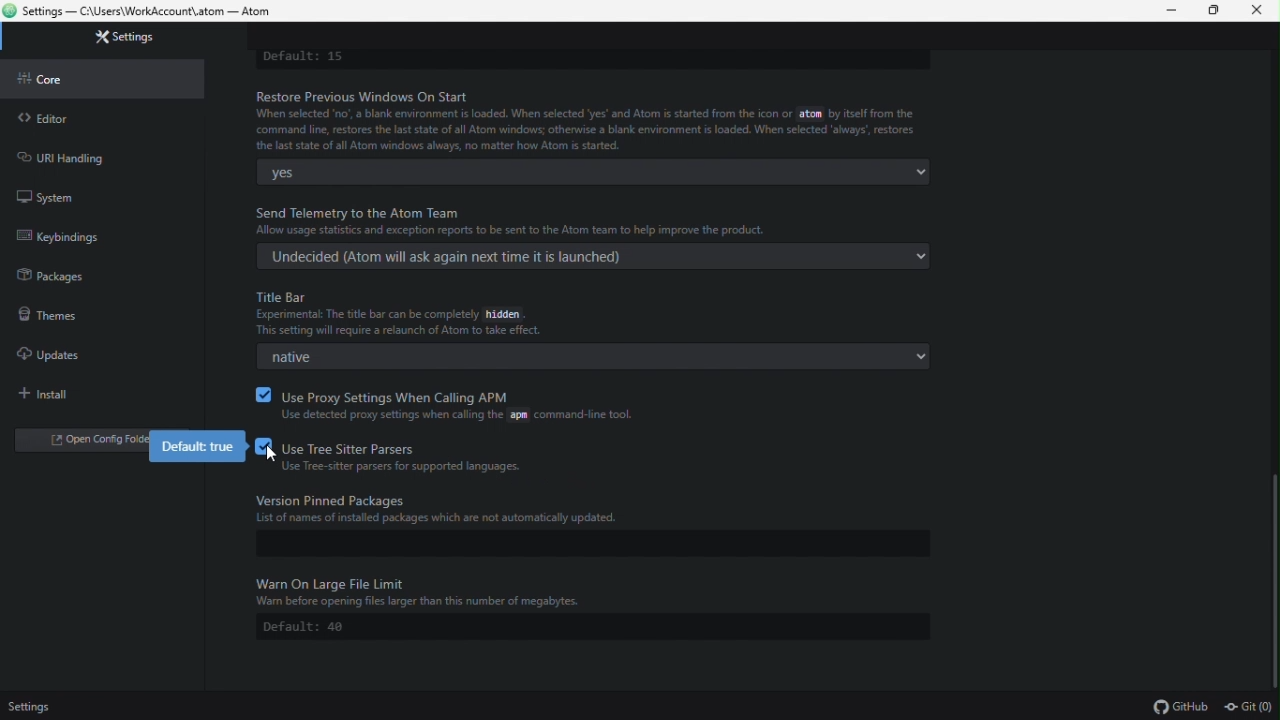 The width and height of the screenshot is (1280, 720). What do you see at coordinates (1184, 707) in the screenshot?
I see `GitHub` at bounding box center [1184, 707].